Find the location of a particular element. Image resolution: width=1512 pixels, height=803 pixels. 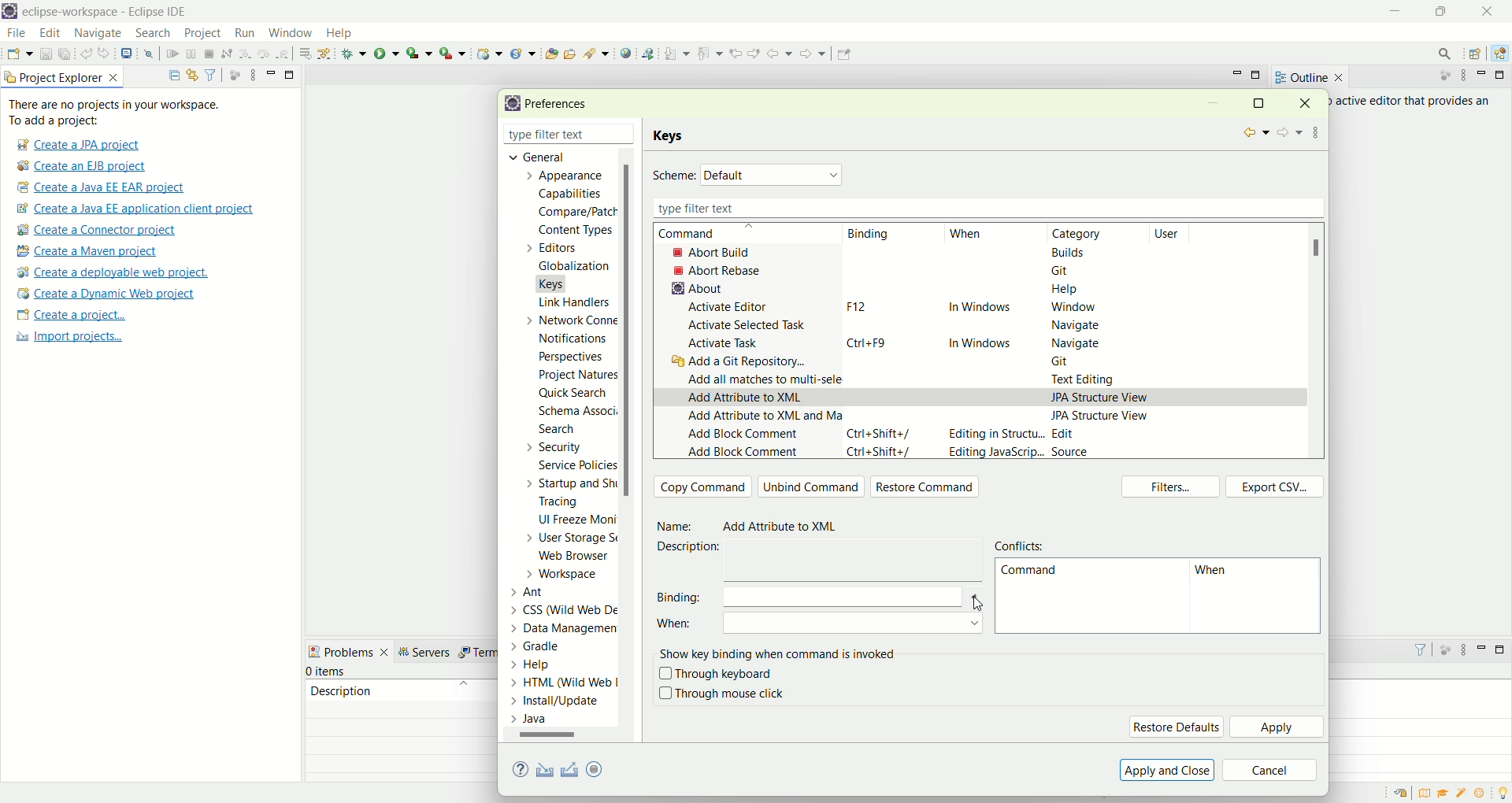

disconnect is located at coordinates (225, 54).